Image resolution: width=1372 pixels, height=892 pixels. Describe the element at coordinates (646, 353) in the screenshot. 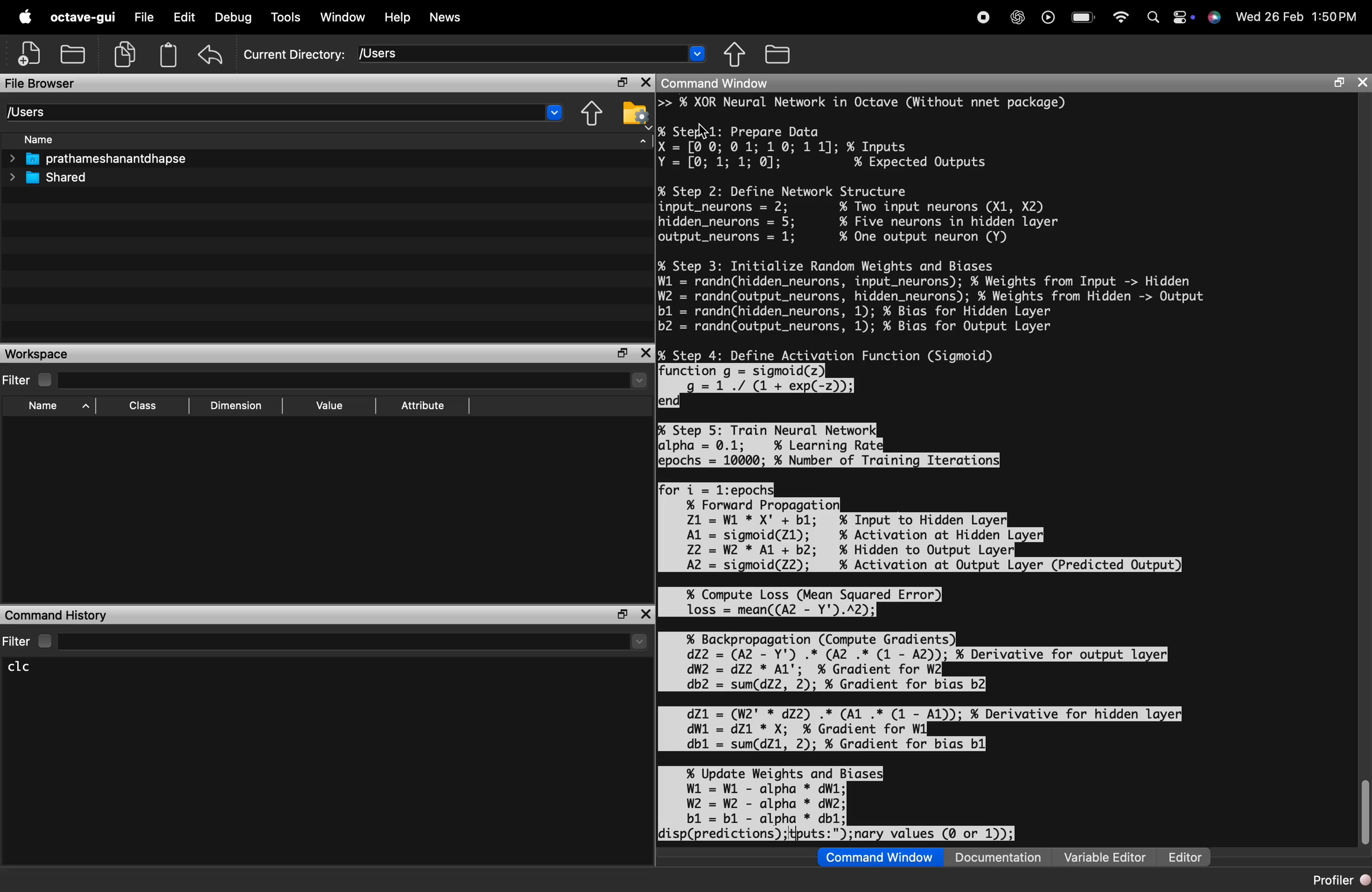

I see `close` at that location.